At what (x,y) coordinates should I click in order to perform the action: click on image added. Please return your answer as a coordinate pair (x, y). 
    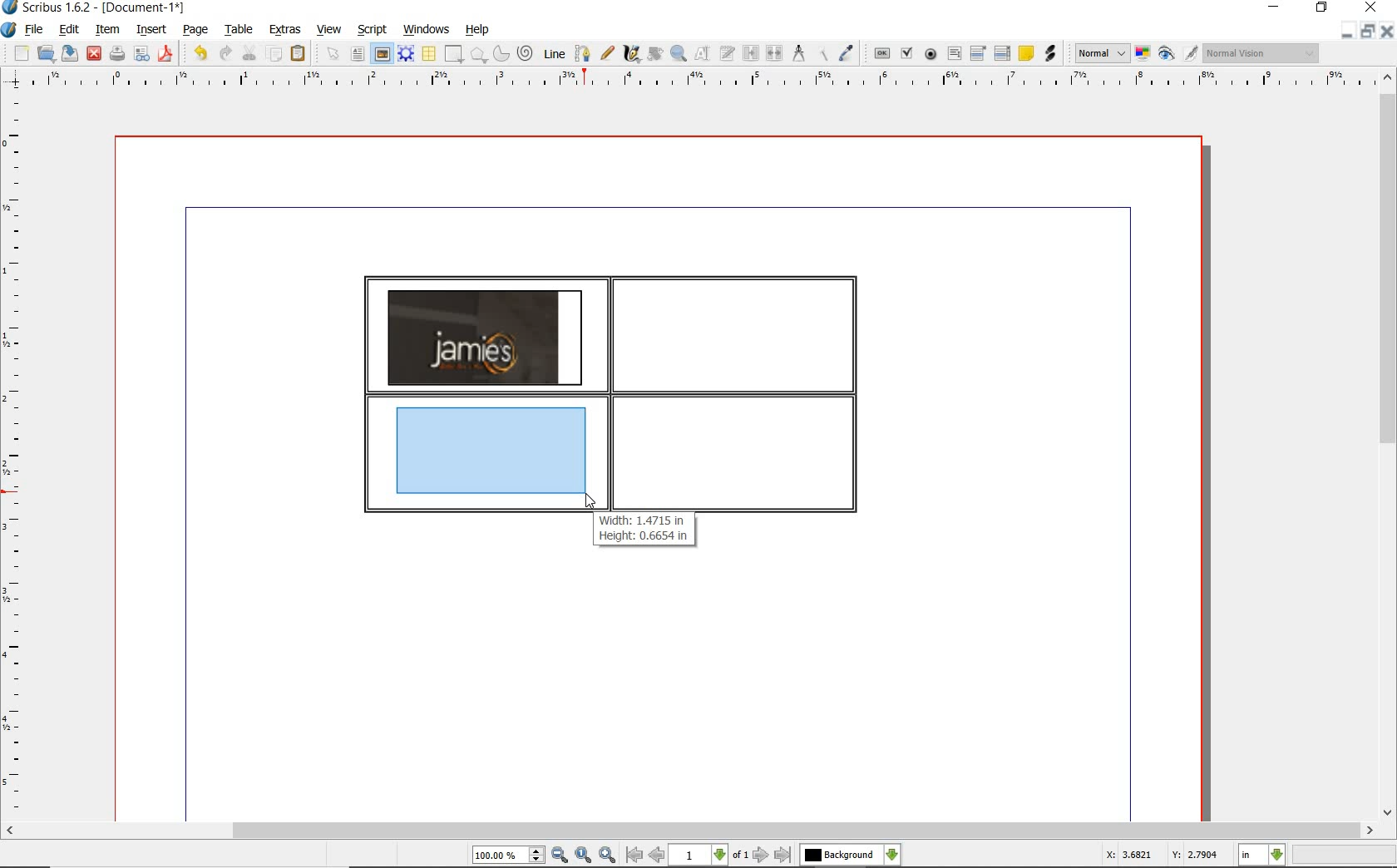
    Looking at the image, I should click on (485, 337).